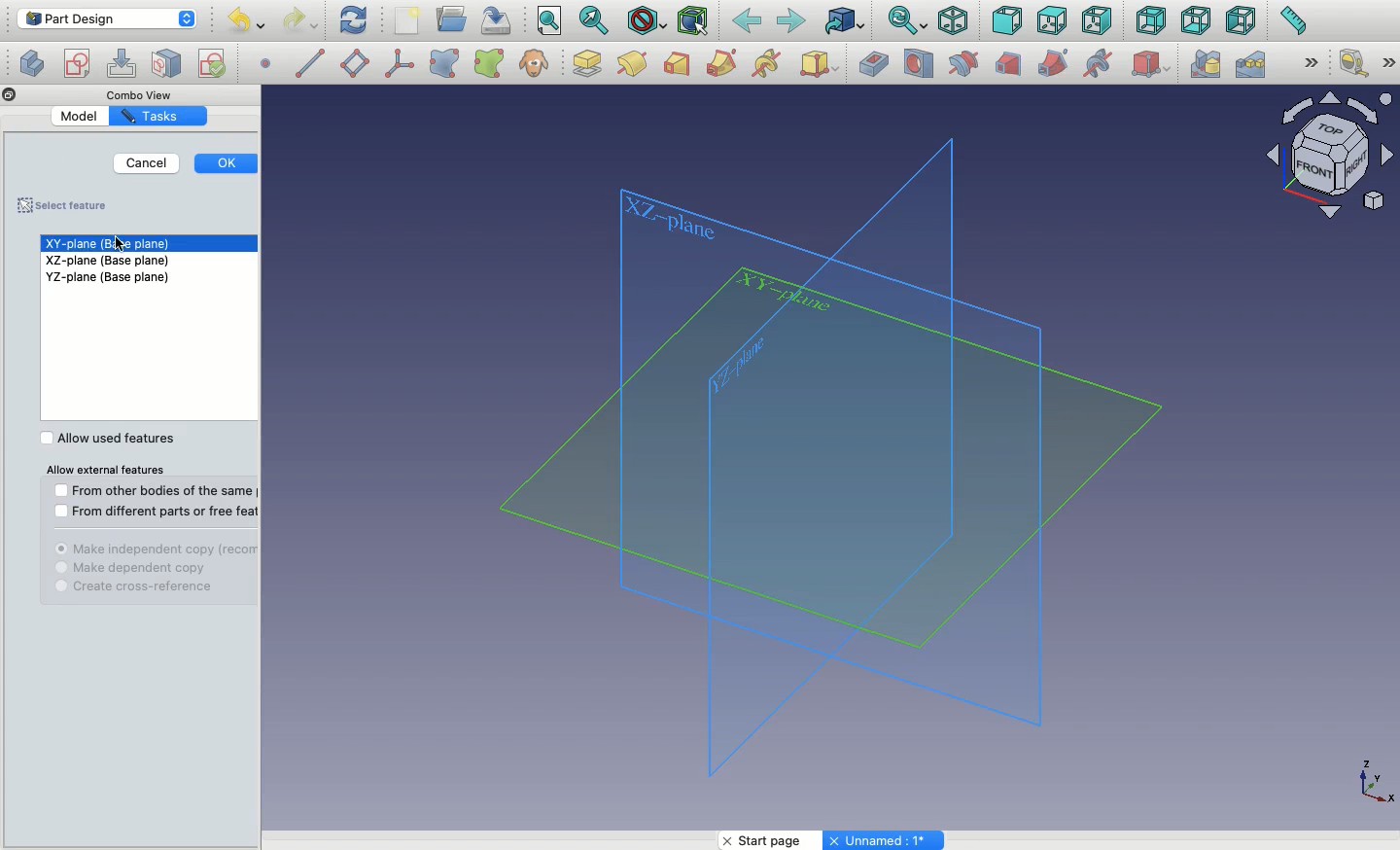  Describe the element at coordinates (1374, 775) in the screenshot. I see `Axis` at that location.